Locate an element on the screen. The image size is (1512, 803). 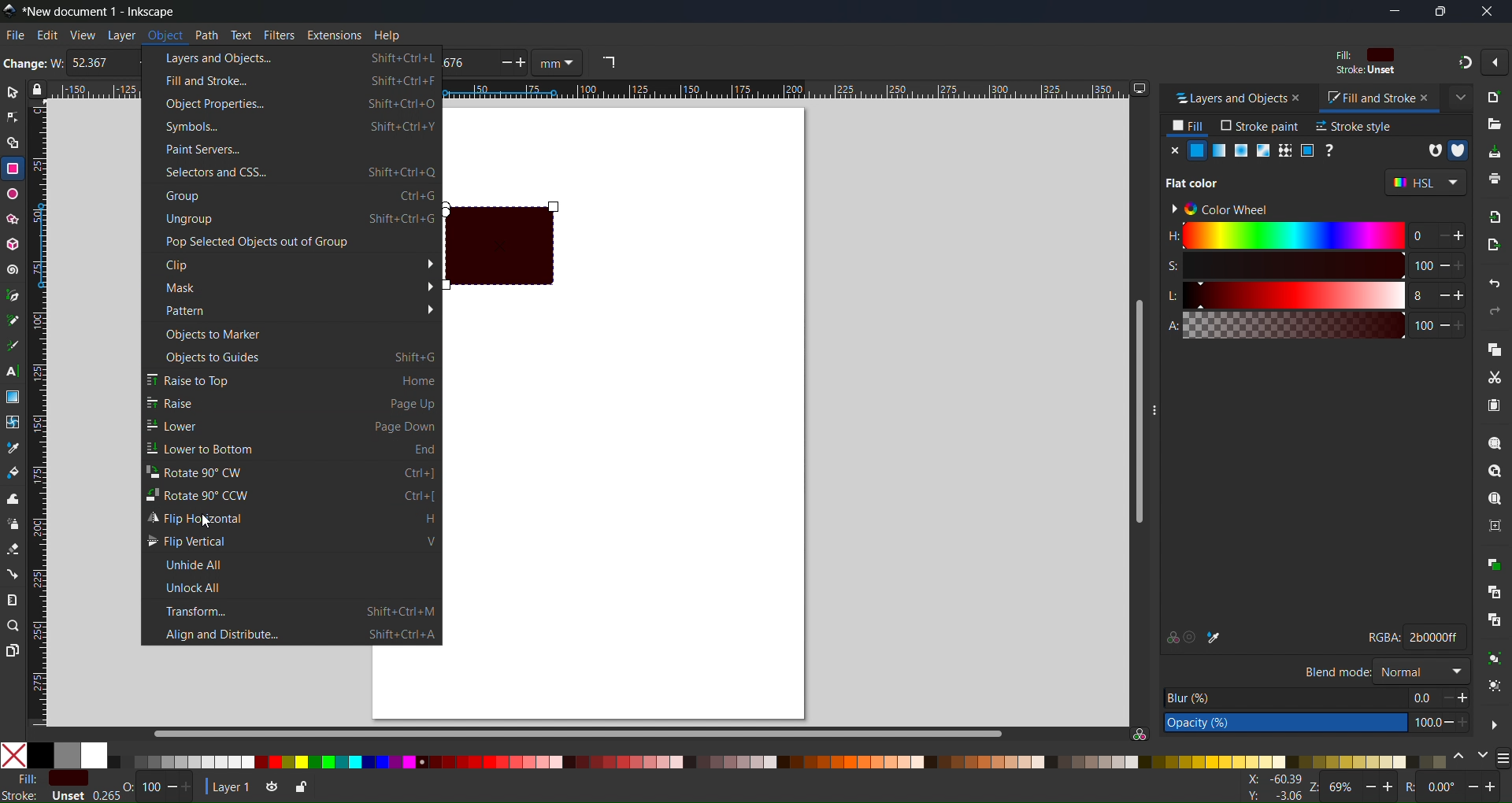
Zoom Page is located at coordinates (1494, 498).